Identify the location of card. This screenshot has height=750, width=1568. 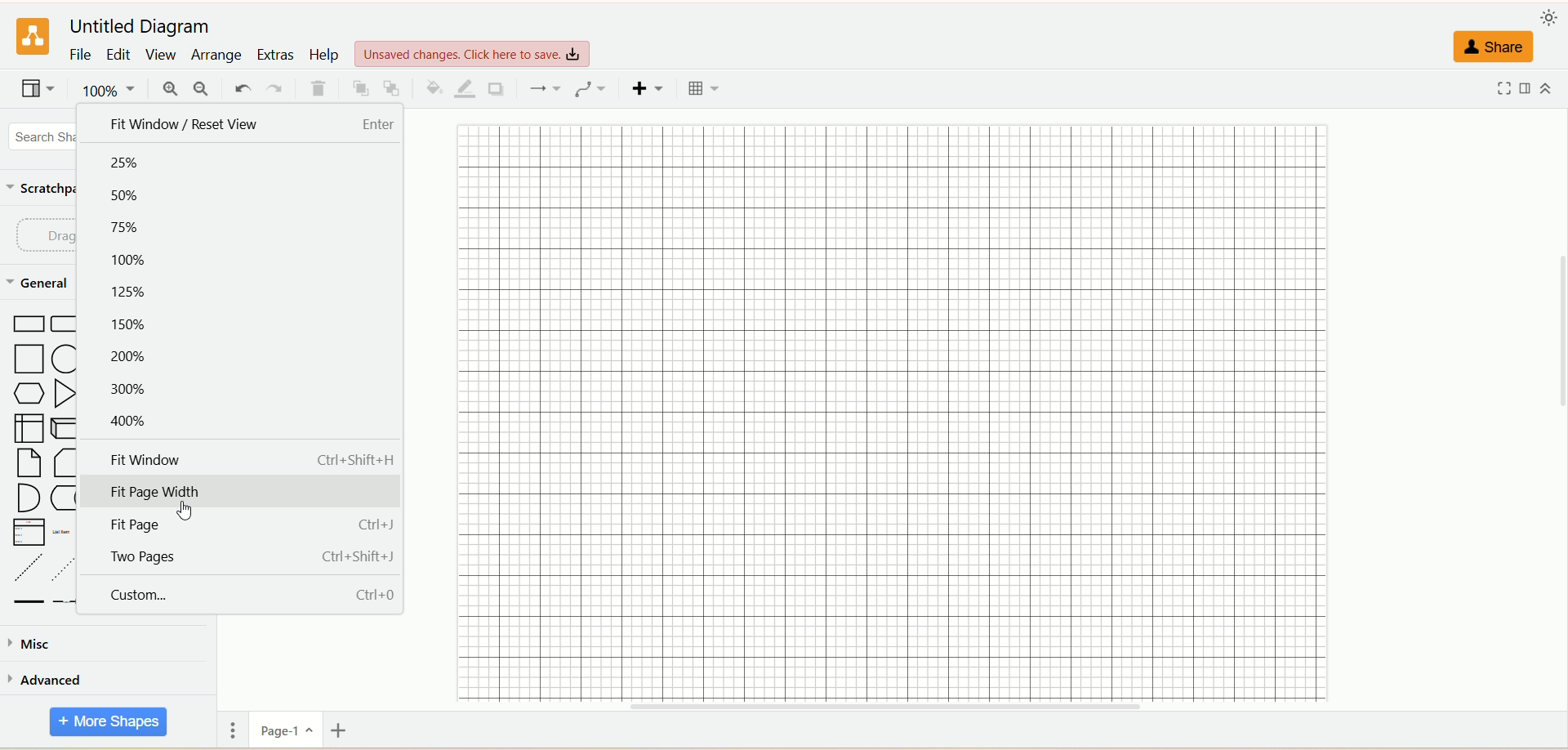
(64, 462).